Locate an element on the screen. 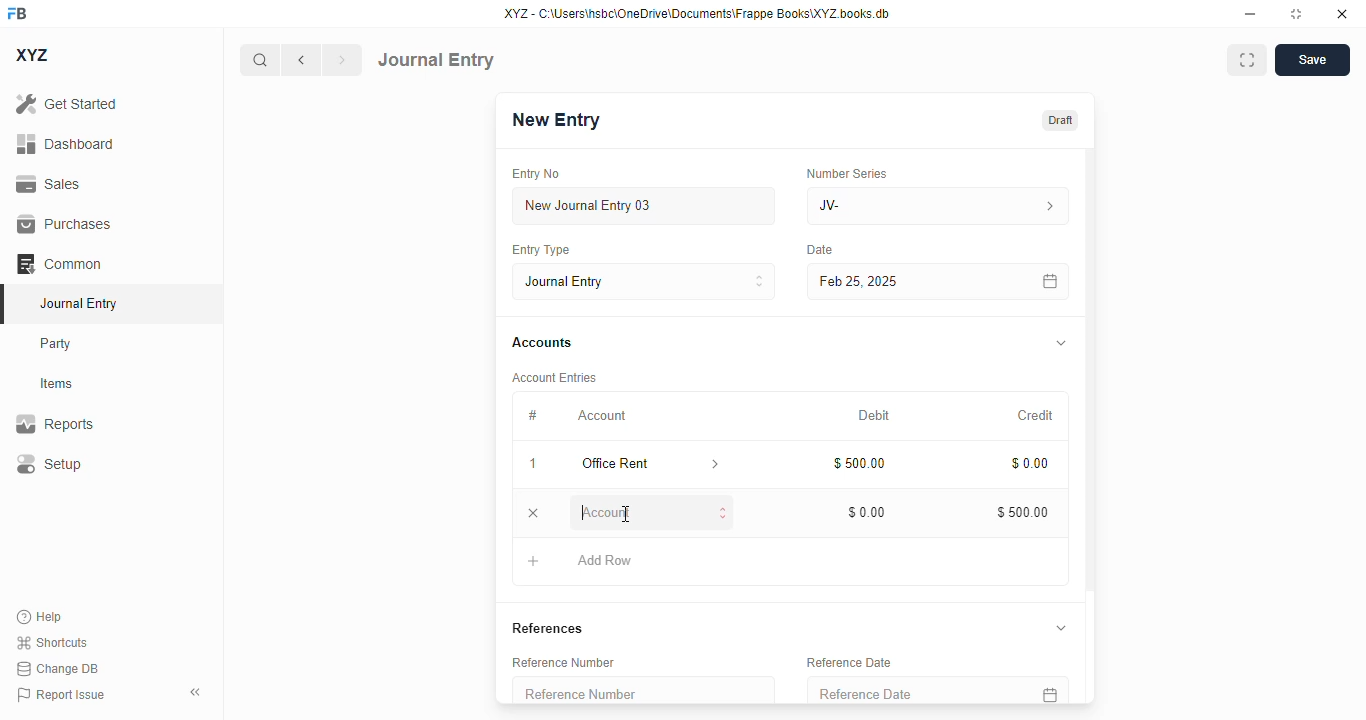  common is located at coordinates (59, 264).